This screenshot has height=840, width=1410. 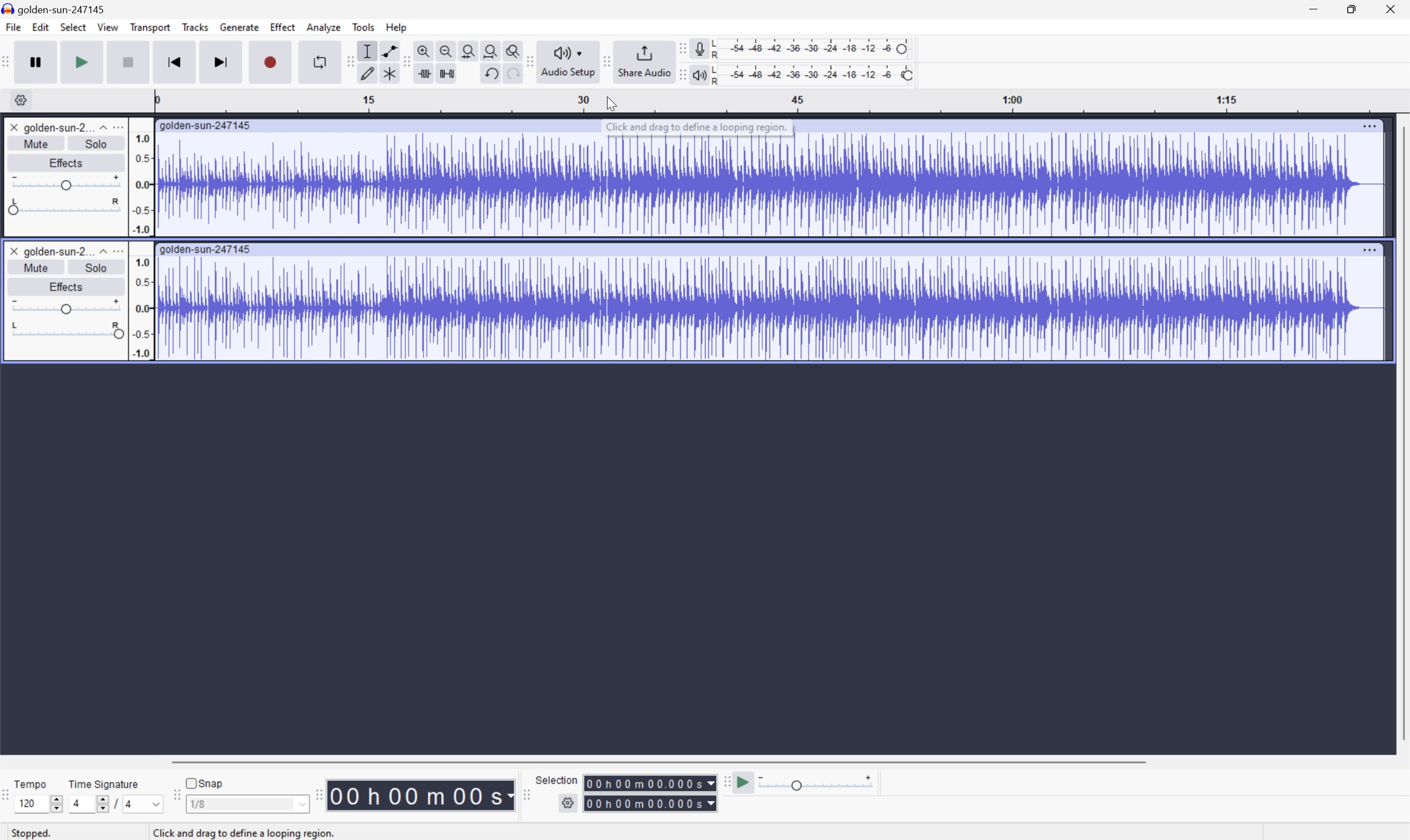 I want to click on Undo, so click(x=494, y=74).